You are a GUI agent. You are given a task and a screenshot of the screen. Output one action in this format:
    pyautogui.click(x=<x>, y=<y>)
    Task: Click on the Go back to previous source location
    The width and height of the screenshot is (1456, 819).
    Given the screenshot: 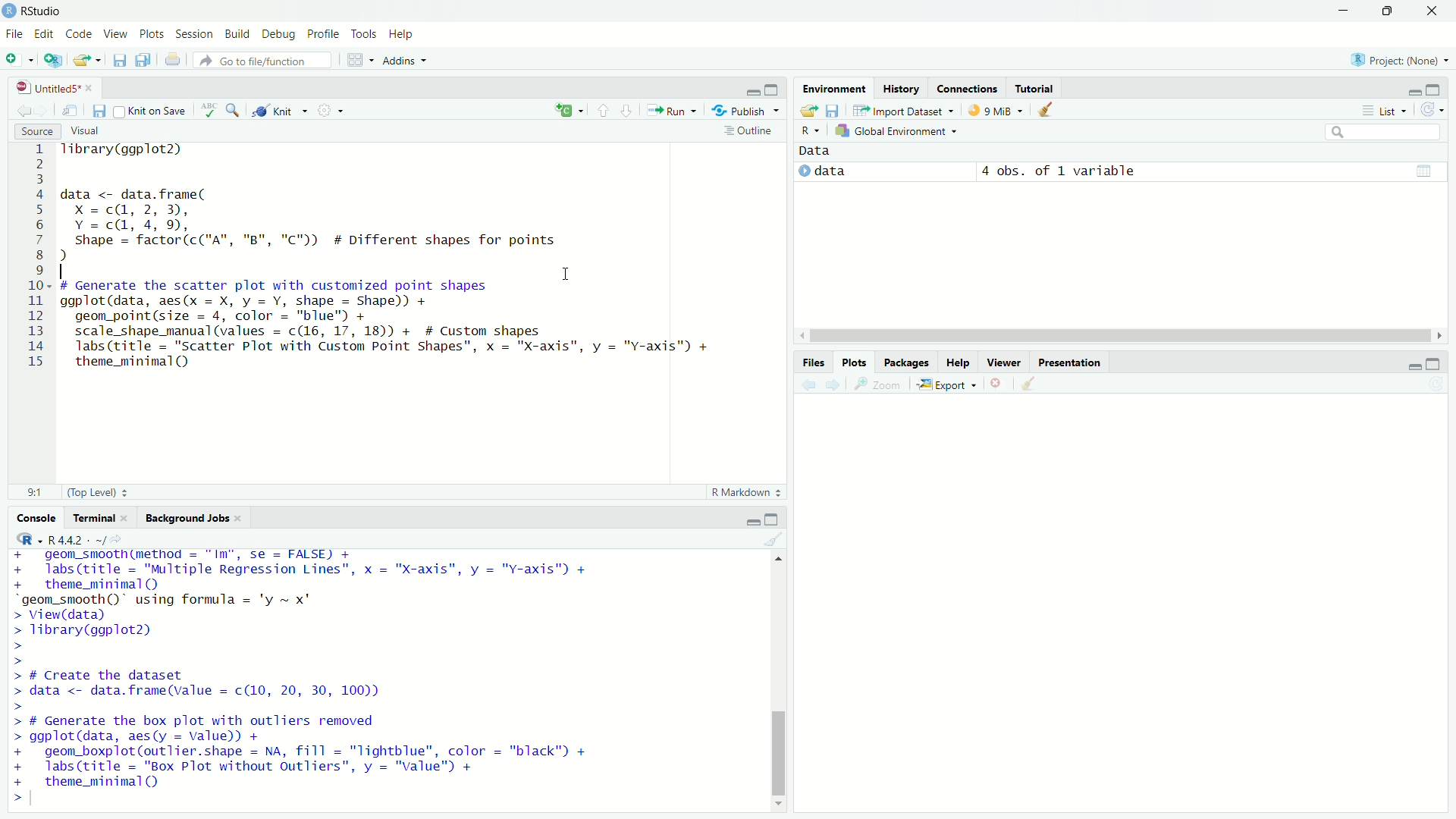 What is the action you would take?
    pyautogui.click(x=23, y=110)
    